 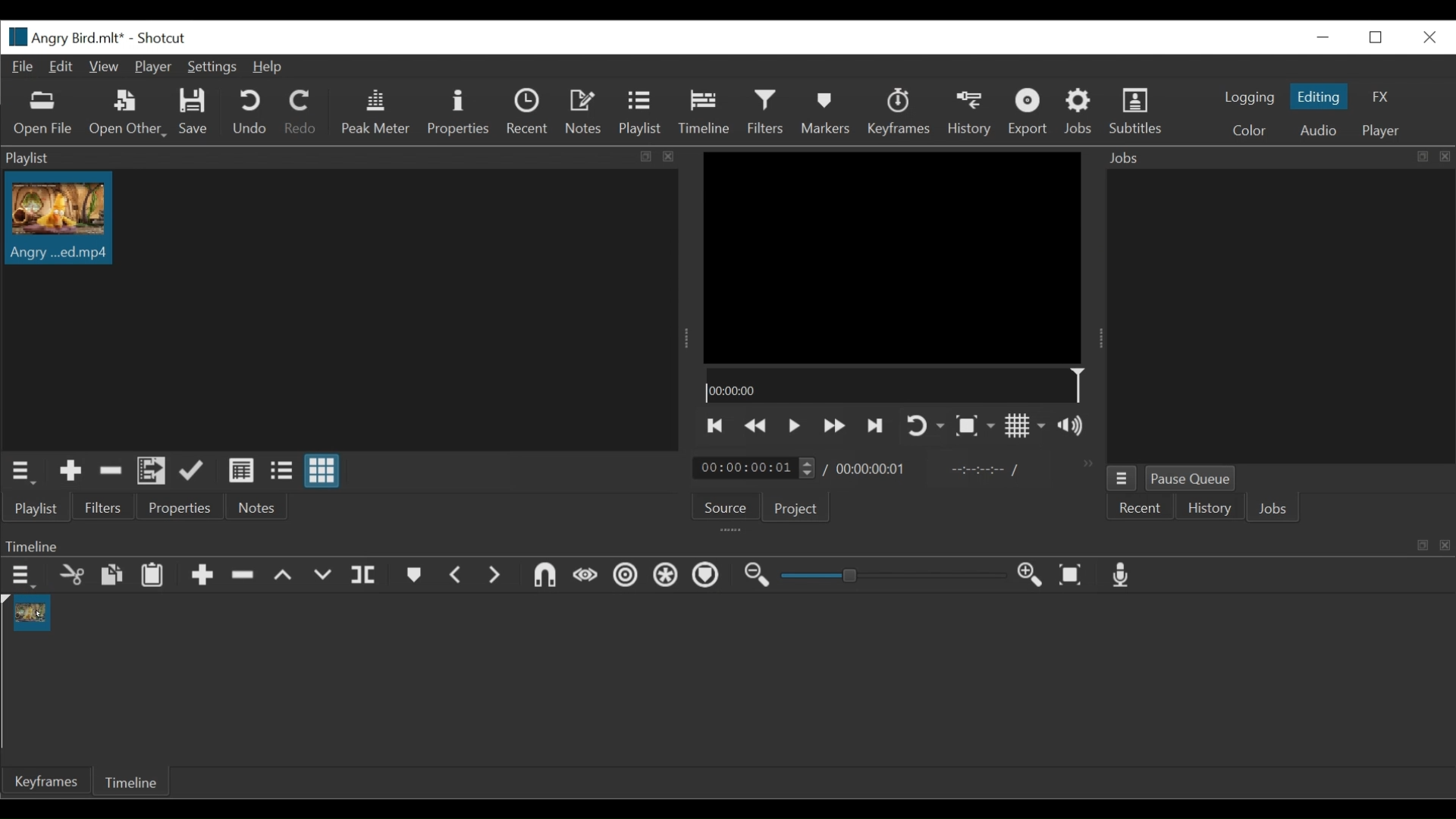 What do you see at coordinates (757, 425) in the screenshot?
I see `Play backward quickly` at bounding box center [757, 425].